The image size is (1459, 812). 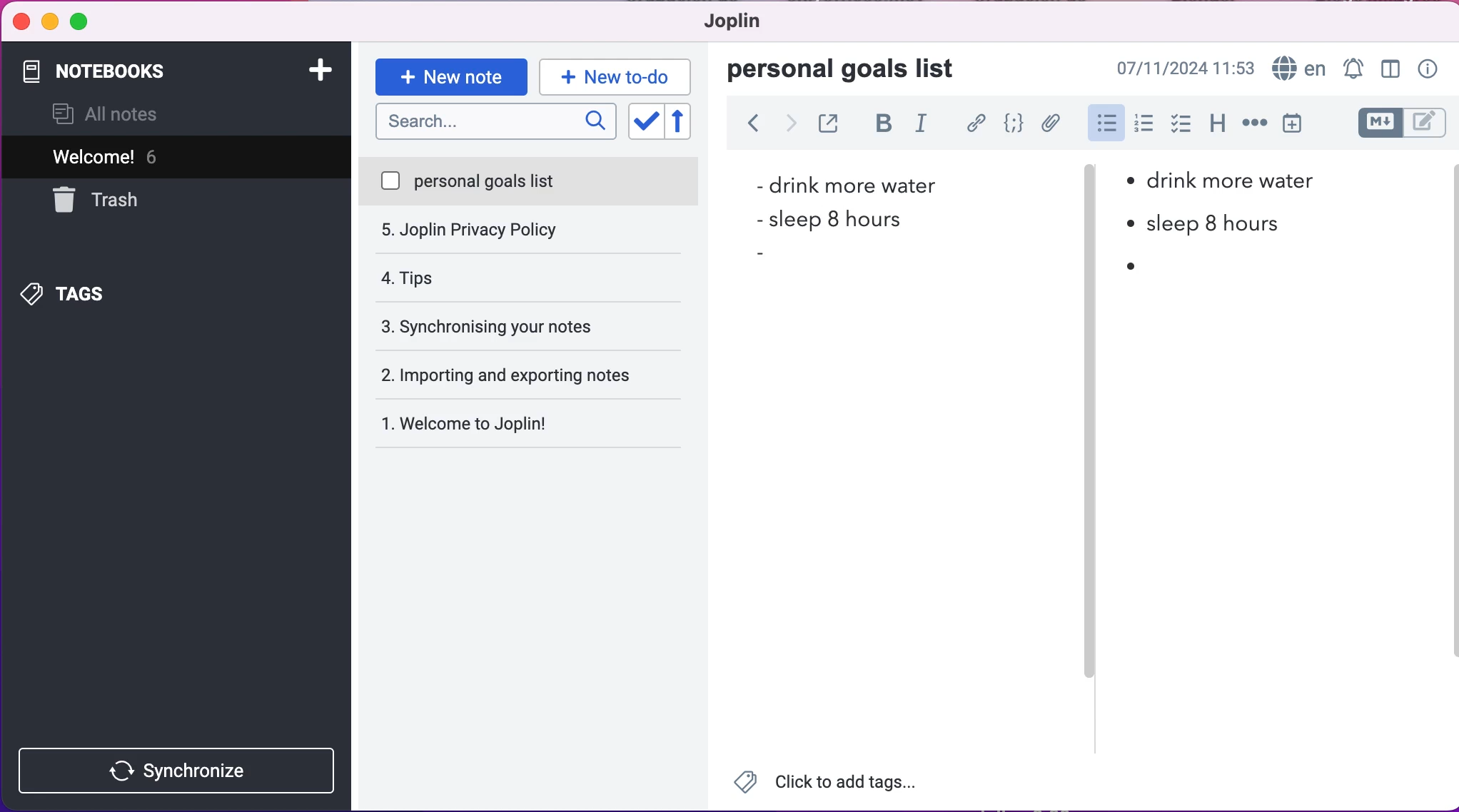 What do you see at coordinates (450, 76) in the screenshot?
I see `new note` at bounding box center [450, 76].